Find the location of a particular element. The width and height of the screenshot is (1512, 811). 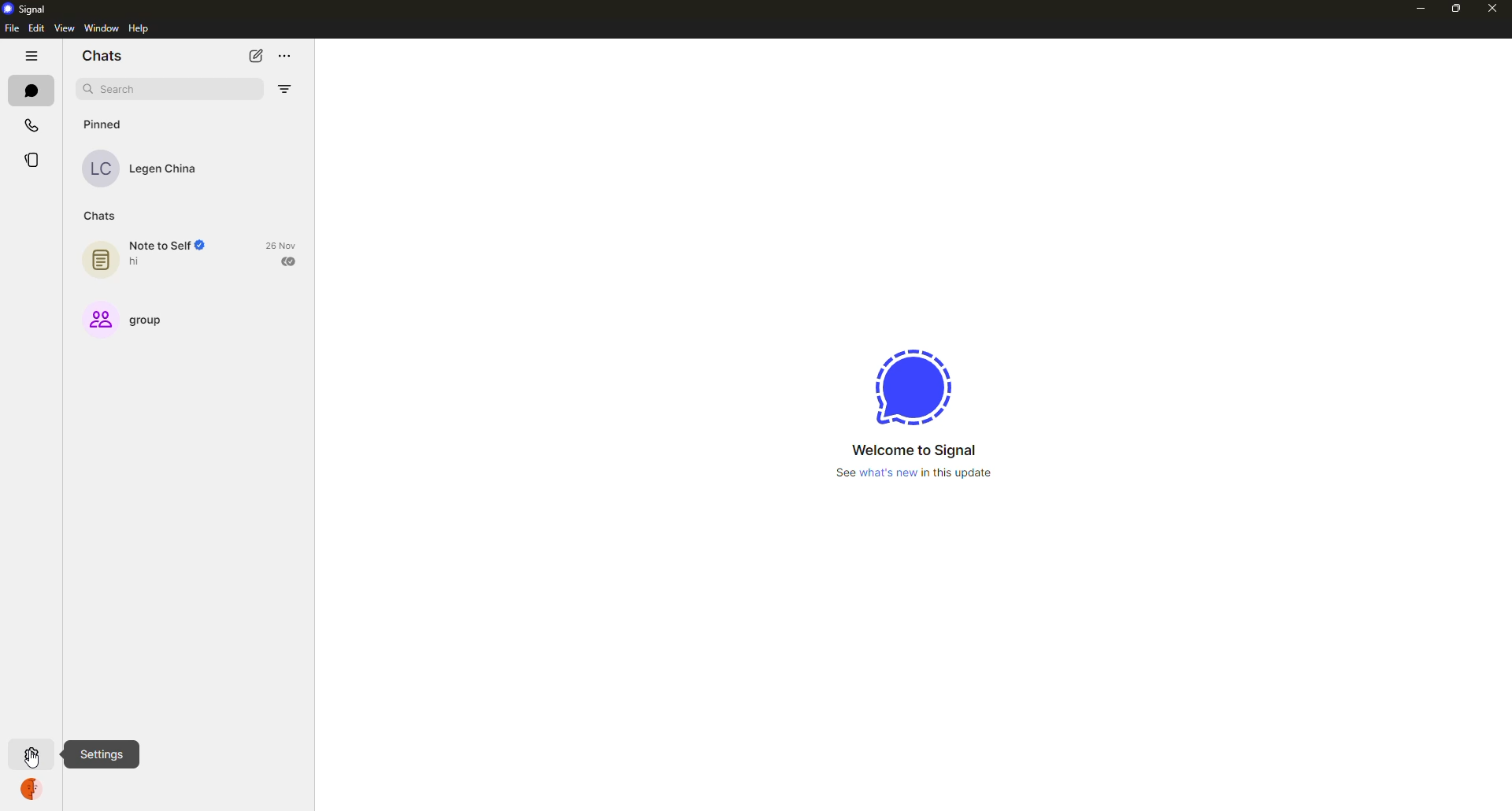

Mouse Cursor is located at coordinates (41, 759).